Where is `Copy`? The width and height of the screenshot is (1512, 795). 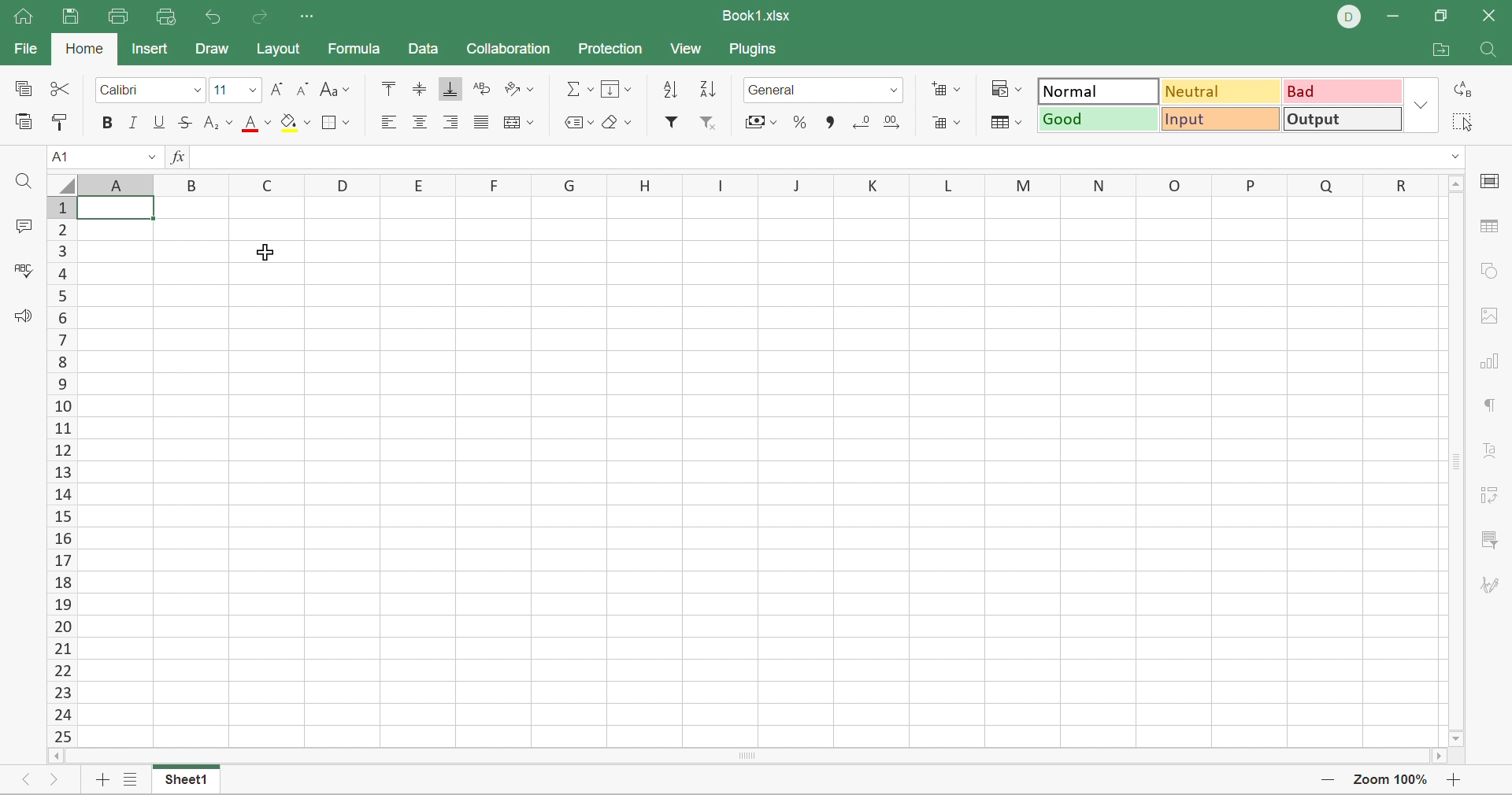 Copy is located at coordinates (21, 87).